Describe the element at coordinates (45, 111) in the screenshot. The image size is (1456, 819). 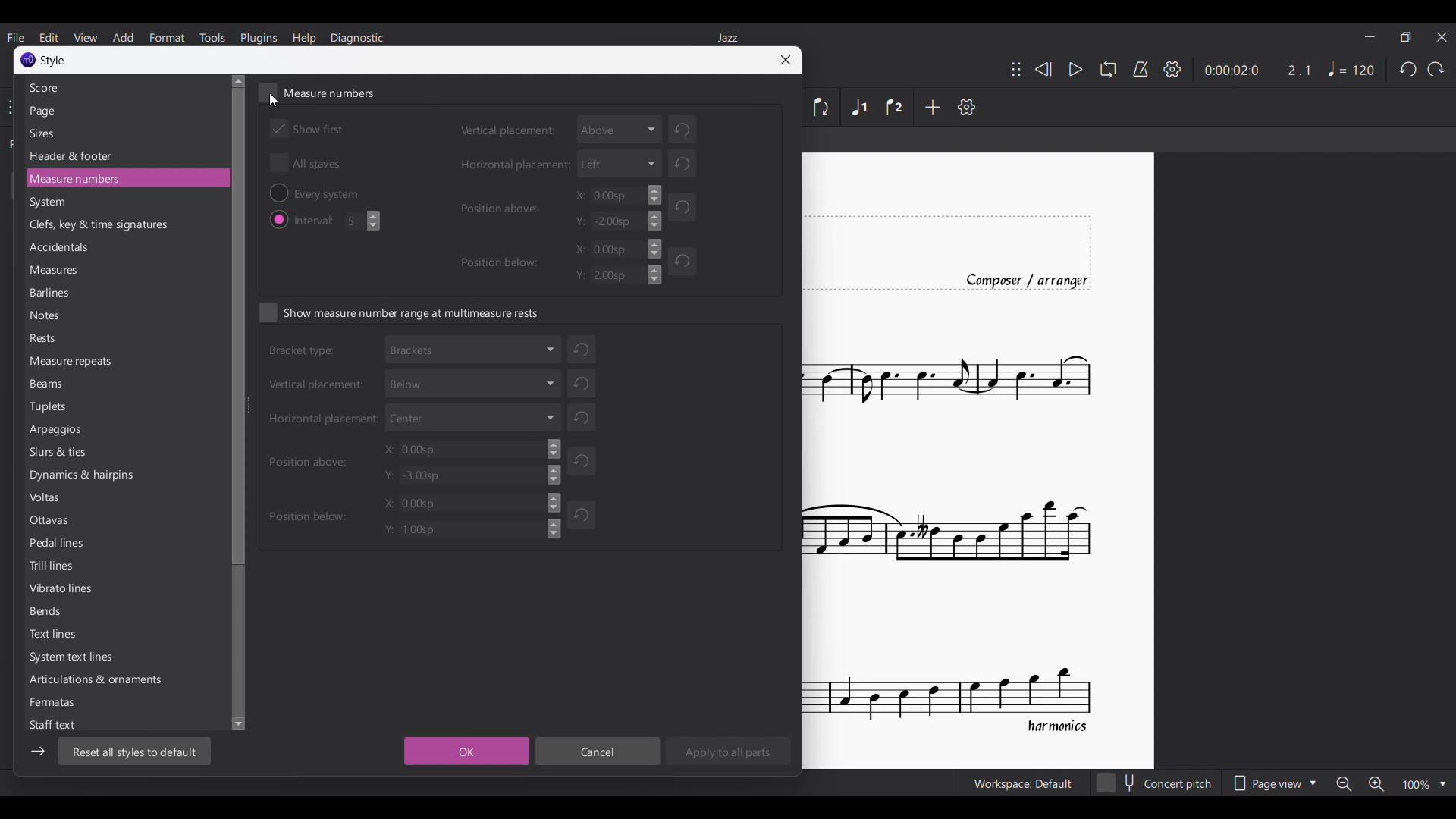
I see `Page` at that location.